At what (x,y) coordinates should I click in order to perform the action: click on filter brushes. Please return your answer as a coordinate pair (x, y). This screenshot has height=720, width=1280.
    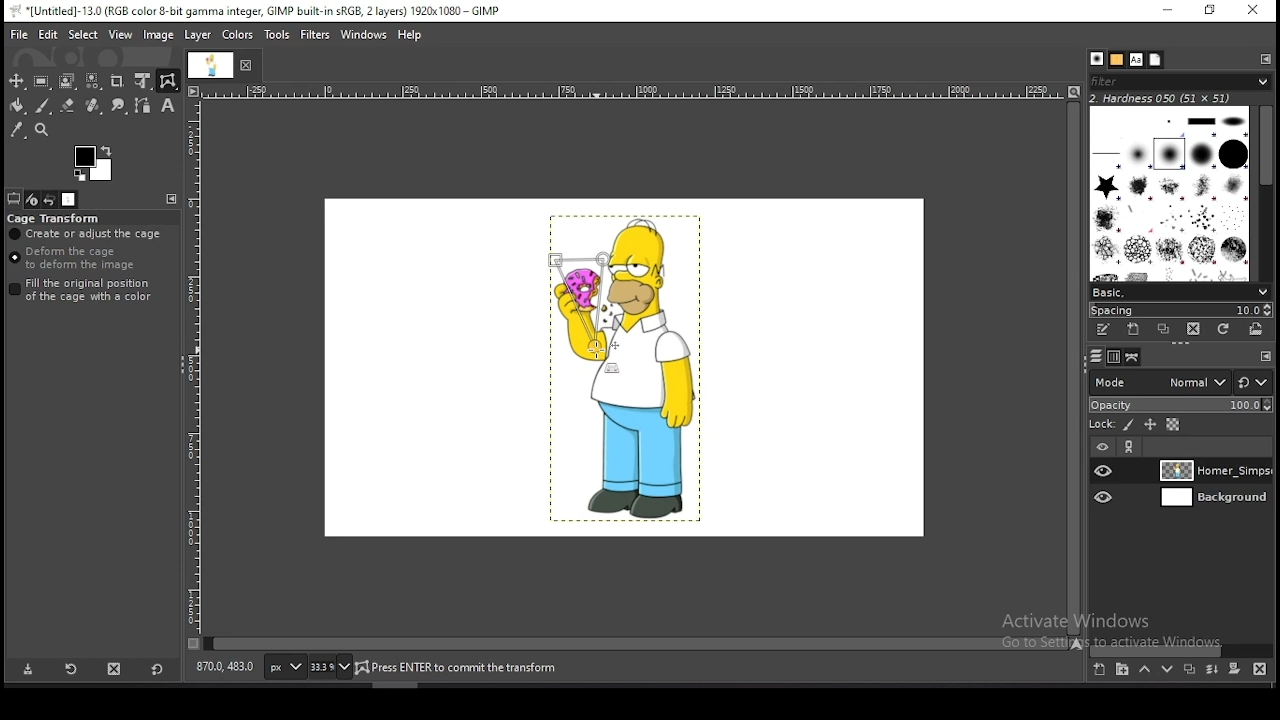
    Looking at the image, I should click on (1181, 83).